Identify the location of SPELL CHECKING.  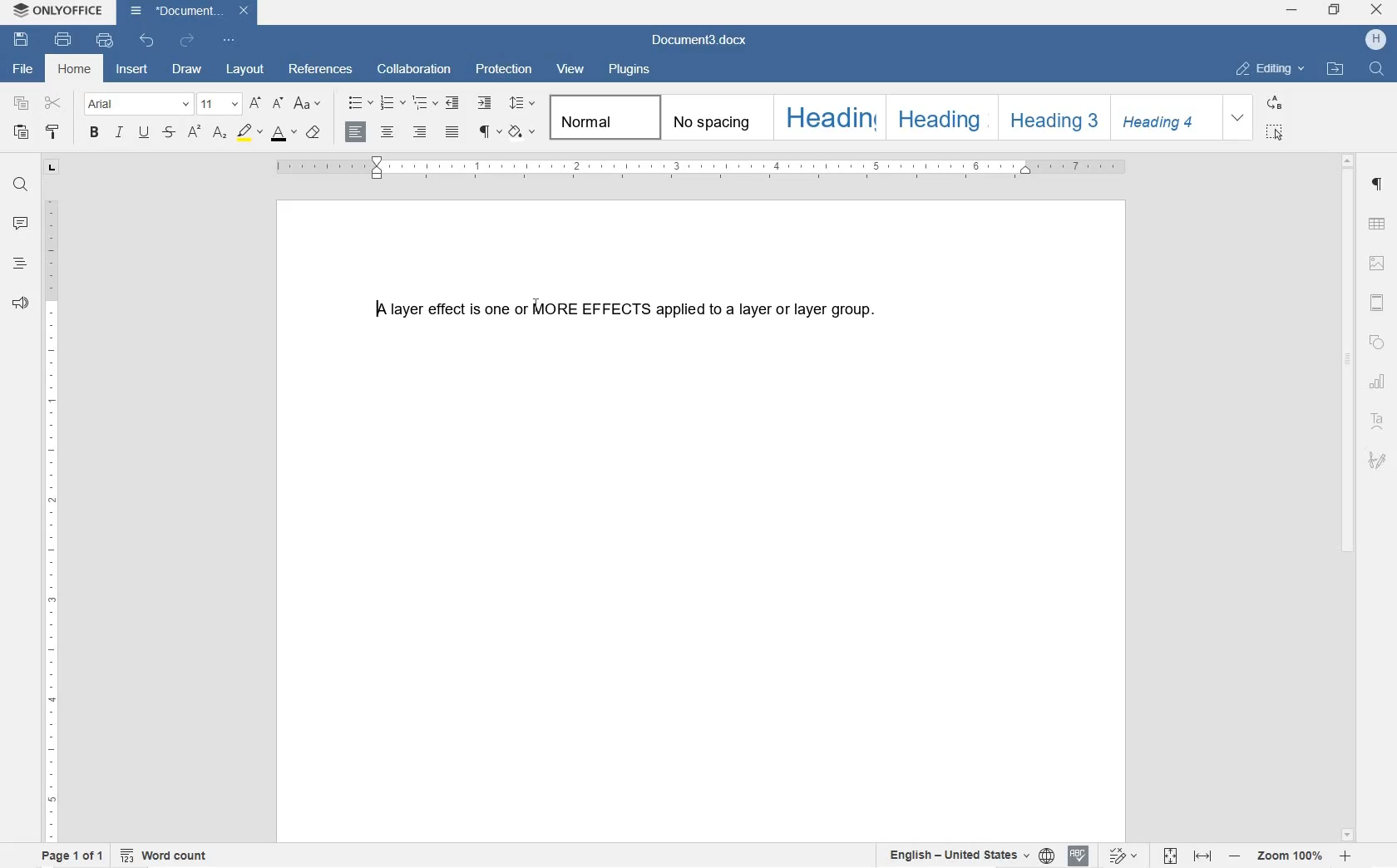
(1079, 855).